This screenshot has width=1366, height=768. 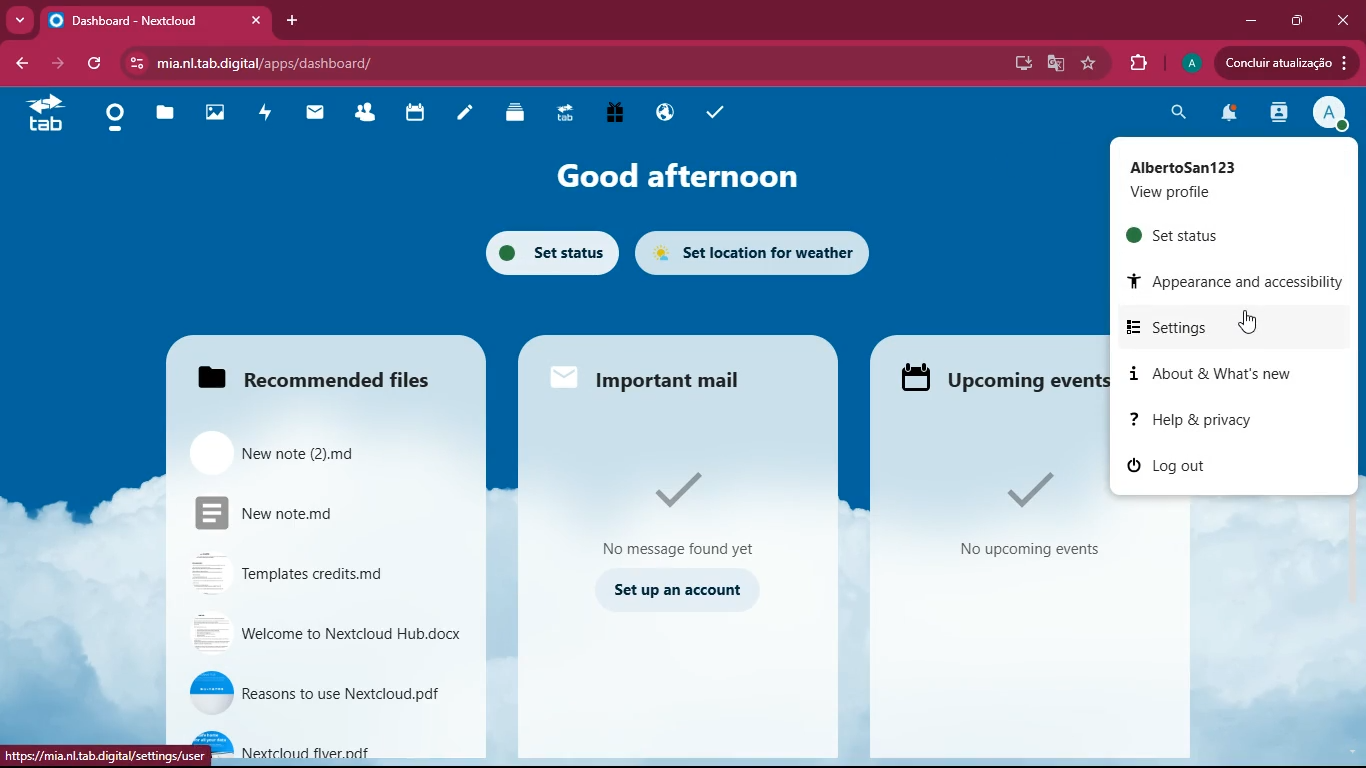 What do you see at coordinates (82, 756) in the screenshot?
I see `link` at bounding box center [82, 756].